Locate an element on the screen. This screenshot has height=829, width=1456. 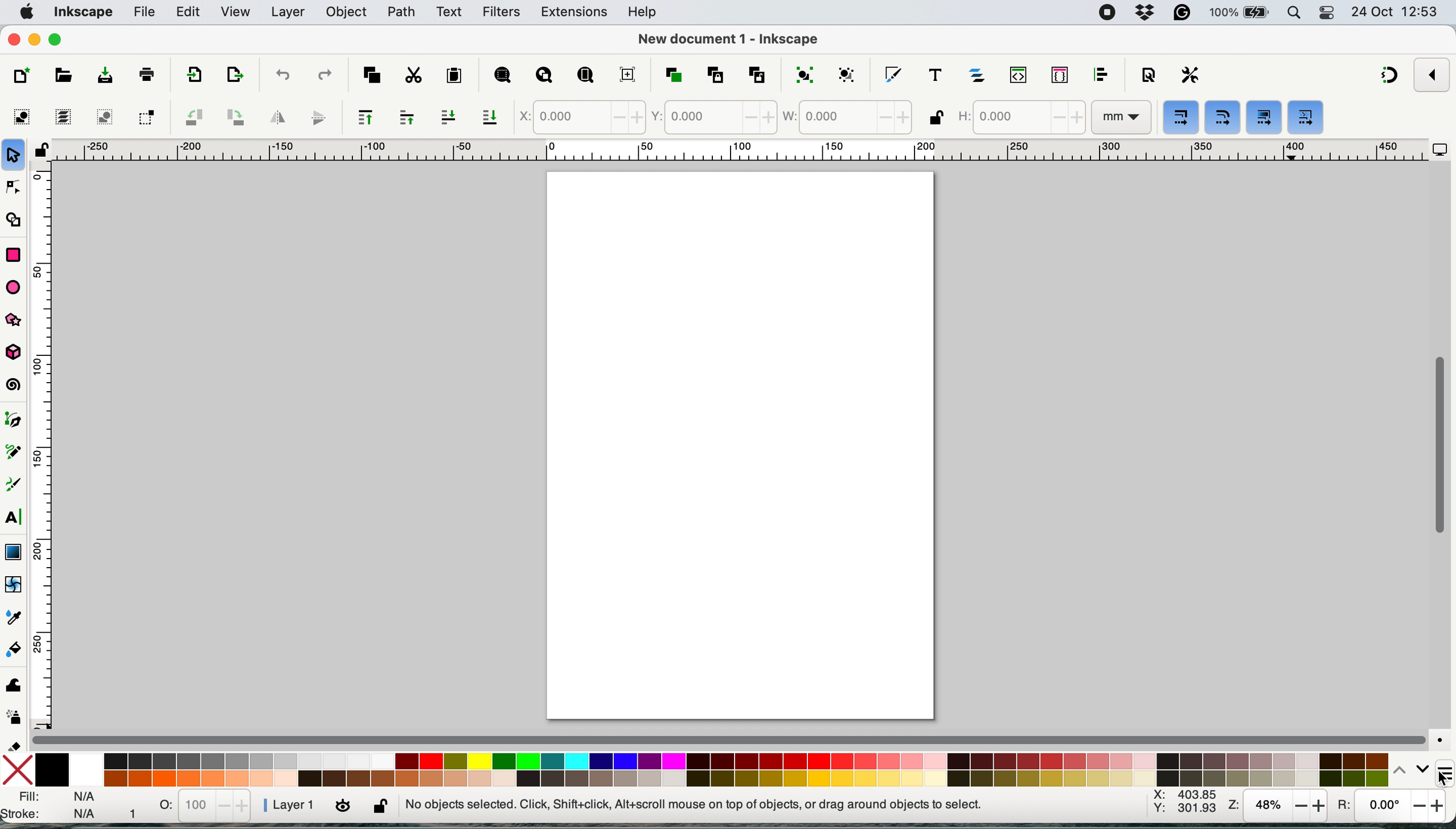
Page is located at coordinates (743, 445).